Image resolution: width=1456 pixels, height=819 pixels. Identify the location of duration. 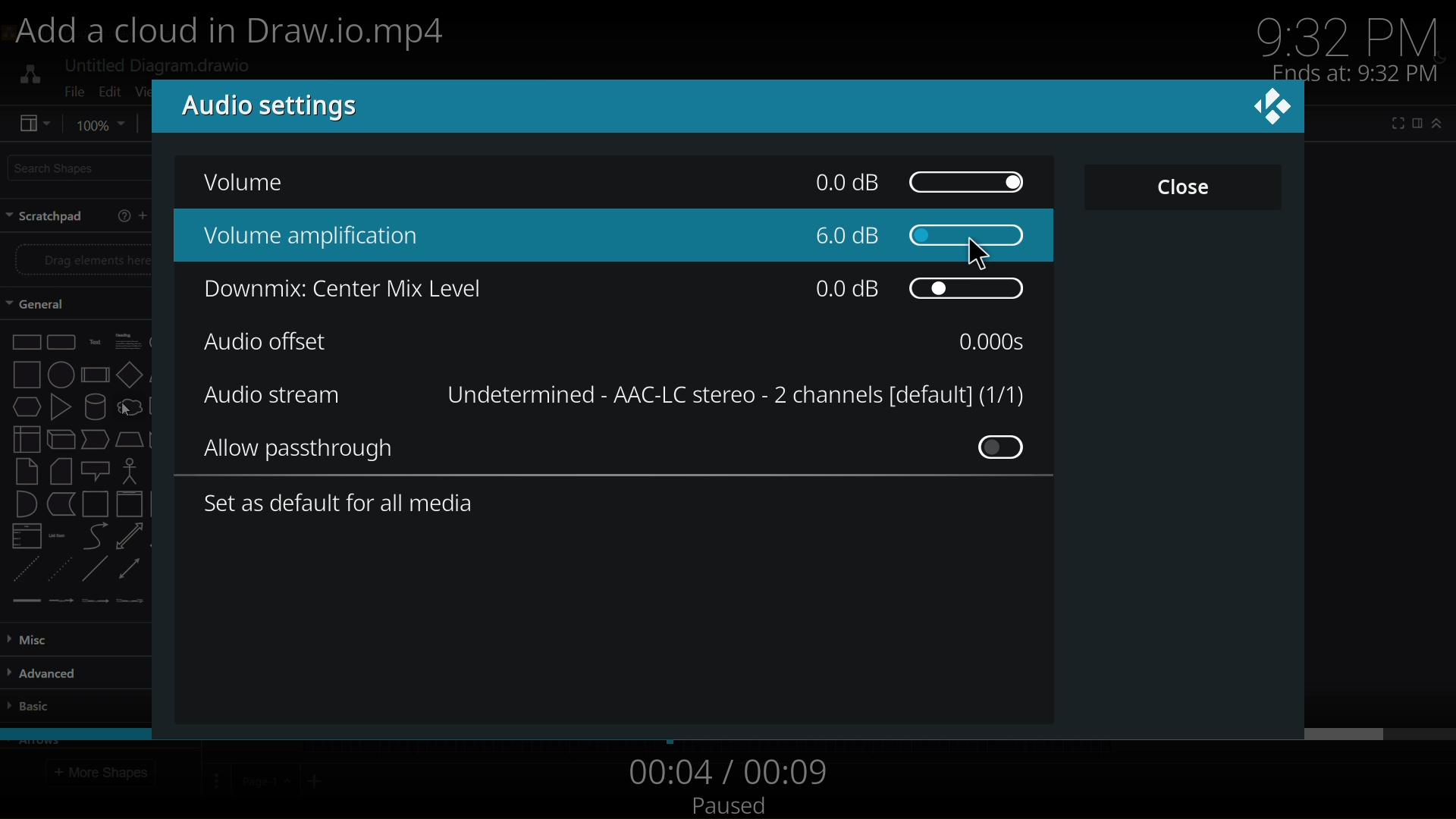
(998, 341).